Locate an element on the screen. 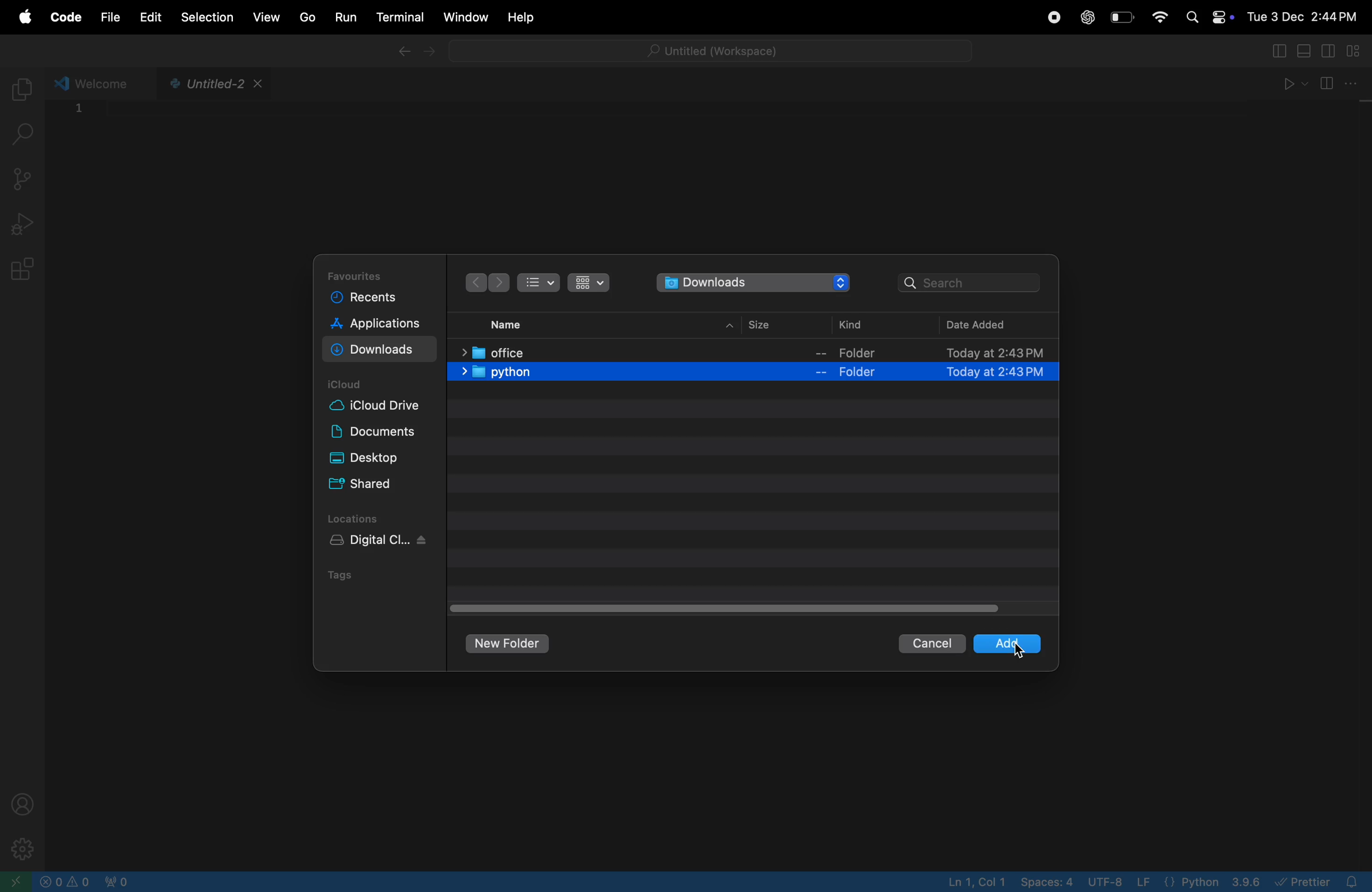  chatgpt is located at coordinates (1088, 18).